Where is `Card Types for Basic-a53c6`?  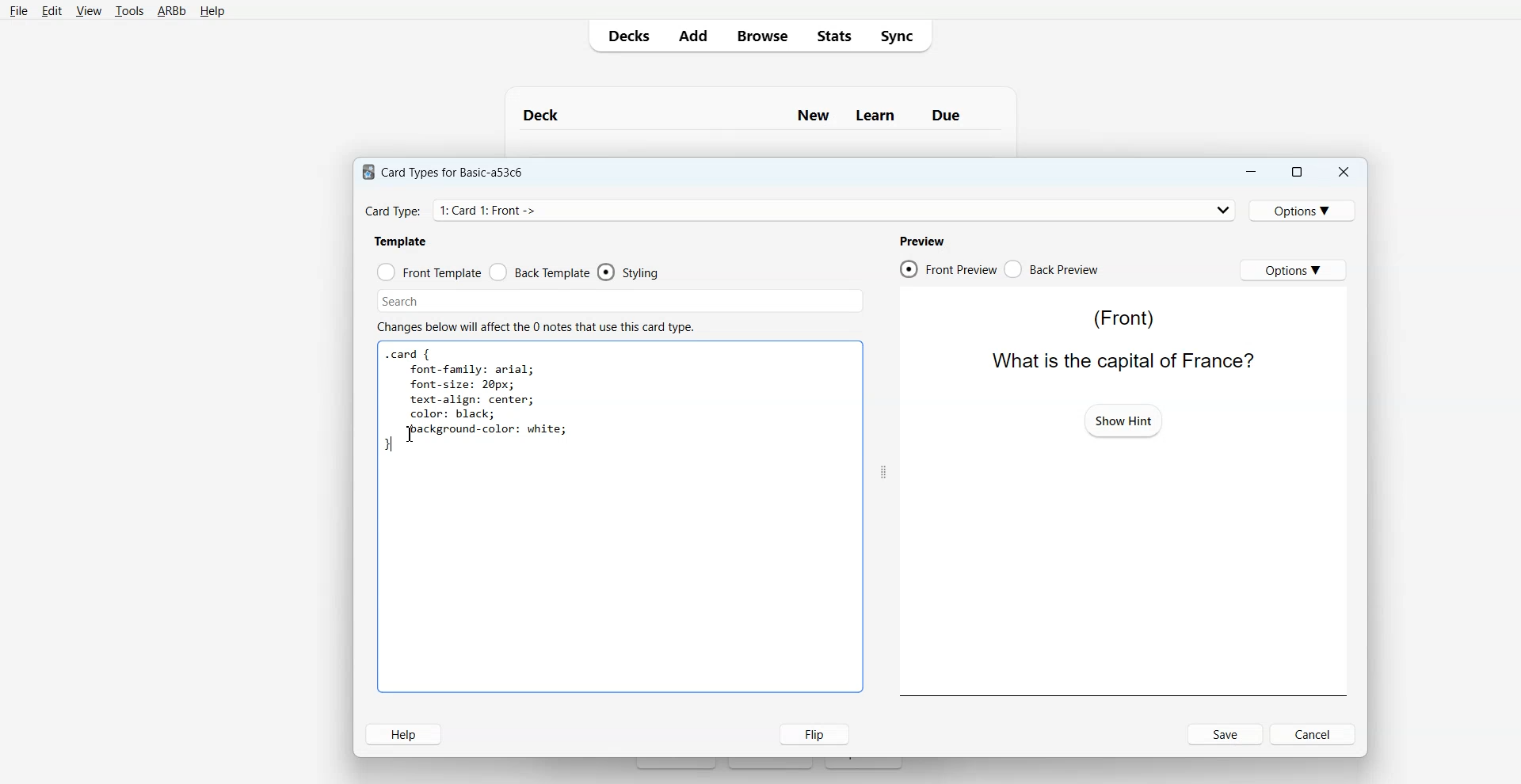
Card Types for Basic-a53c6 is located at coordinates (444, 171).